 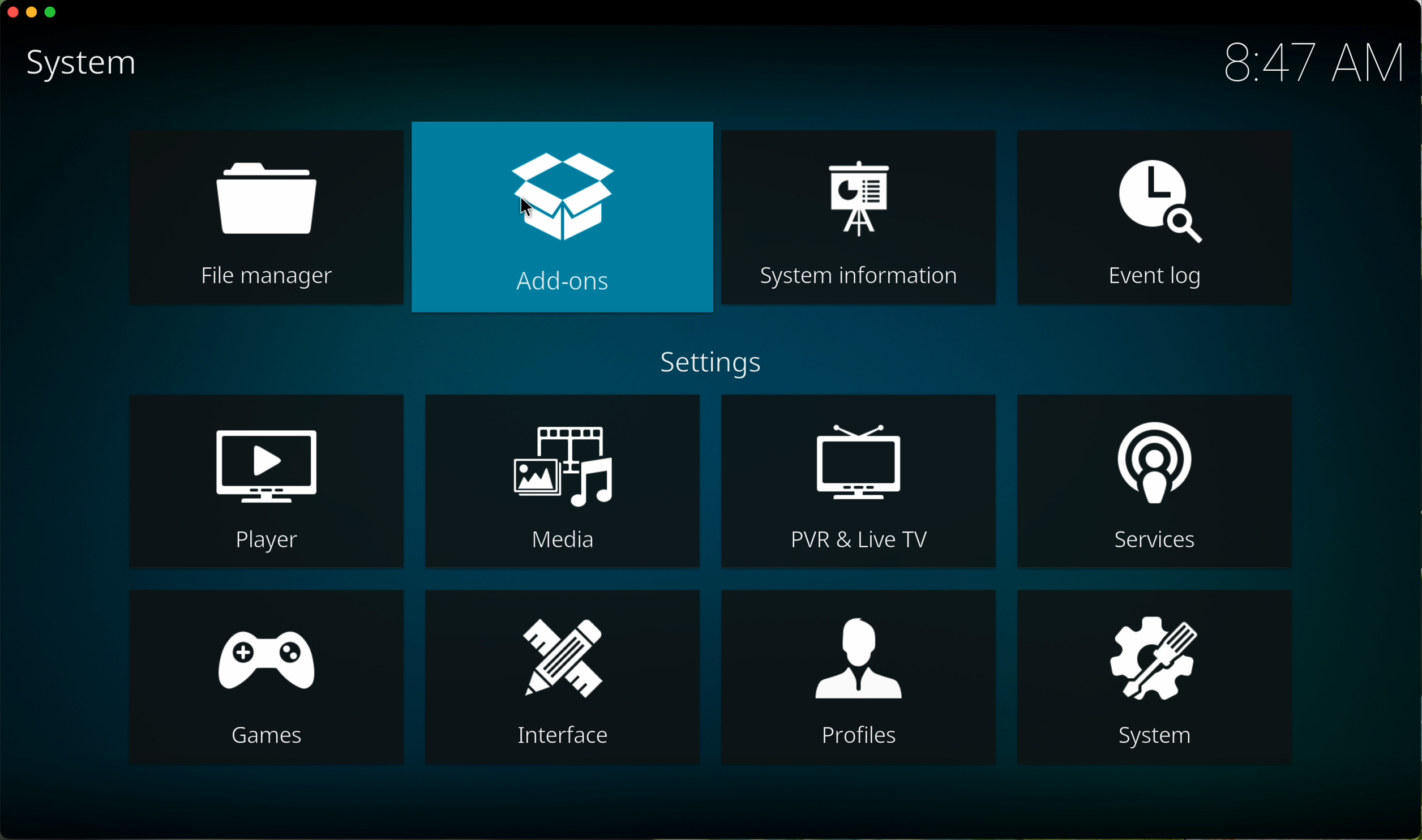 I want to click on maximize, so click(x=55, y=15).